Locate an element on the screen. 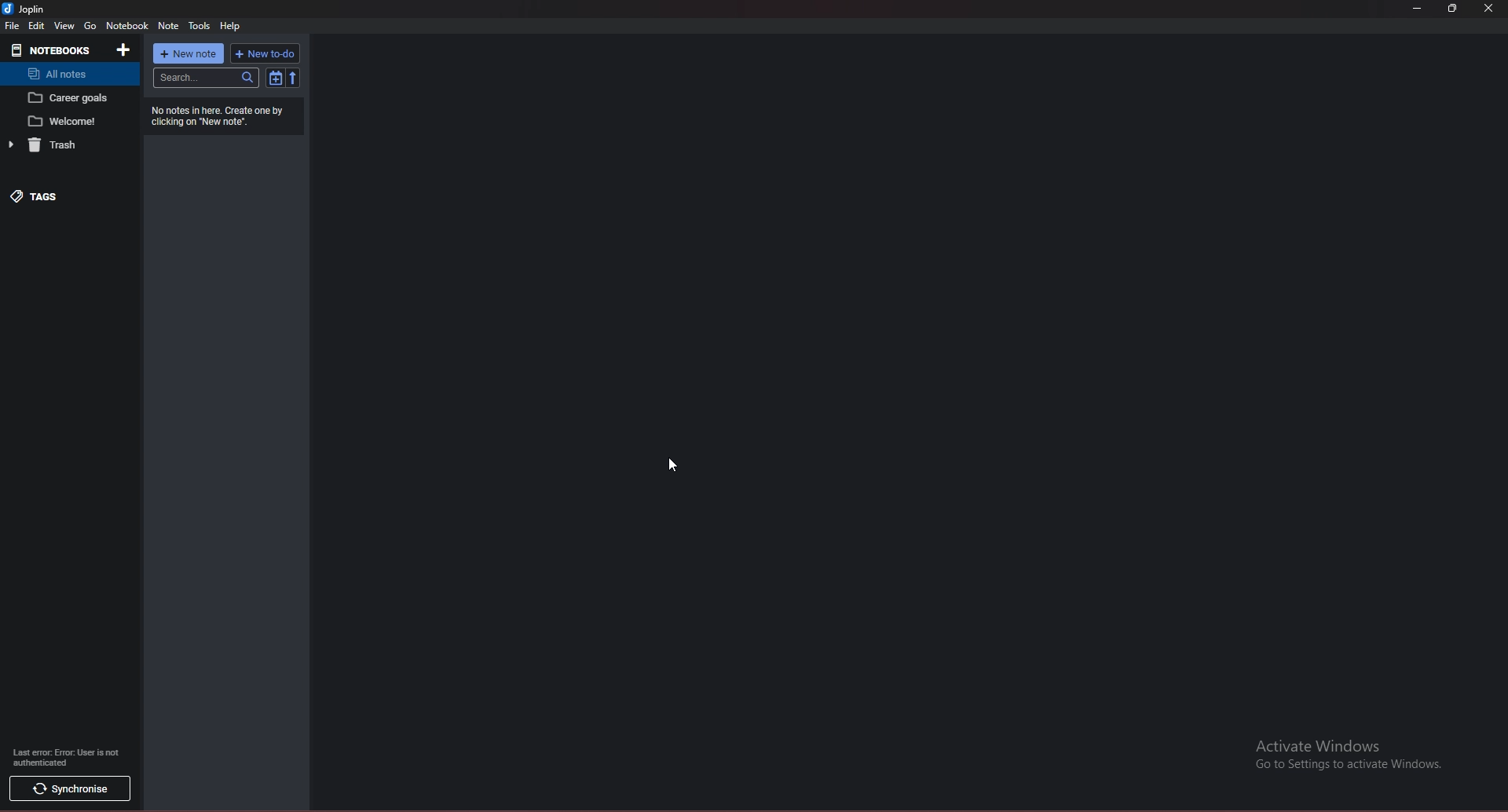 The width and height of the screenshot is (1508, 812). reverse sort order is located at coordinates (293, 78).